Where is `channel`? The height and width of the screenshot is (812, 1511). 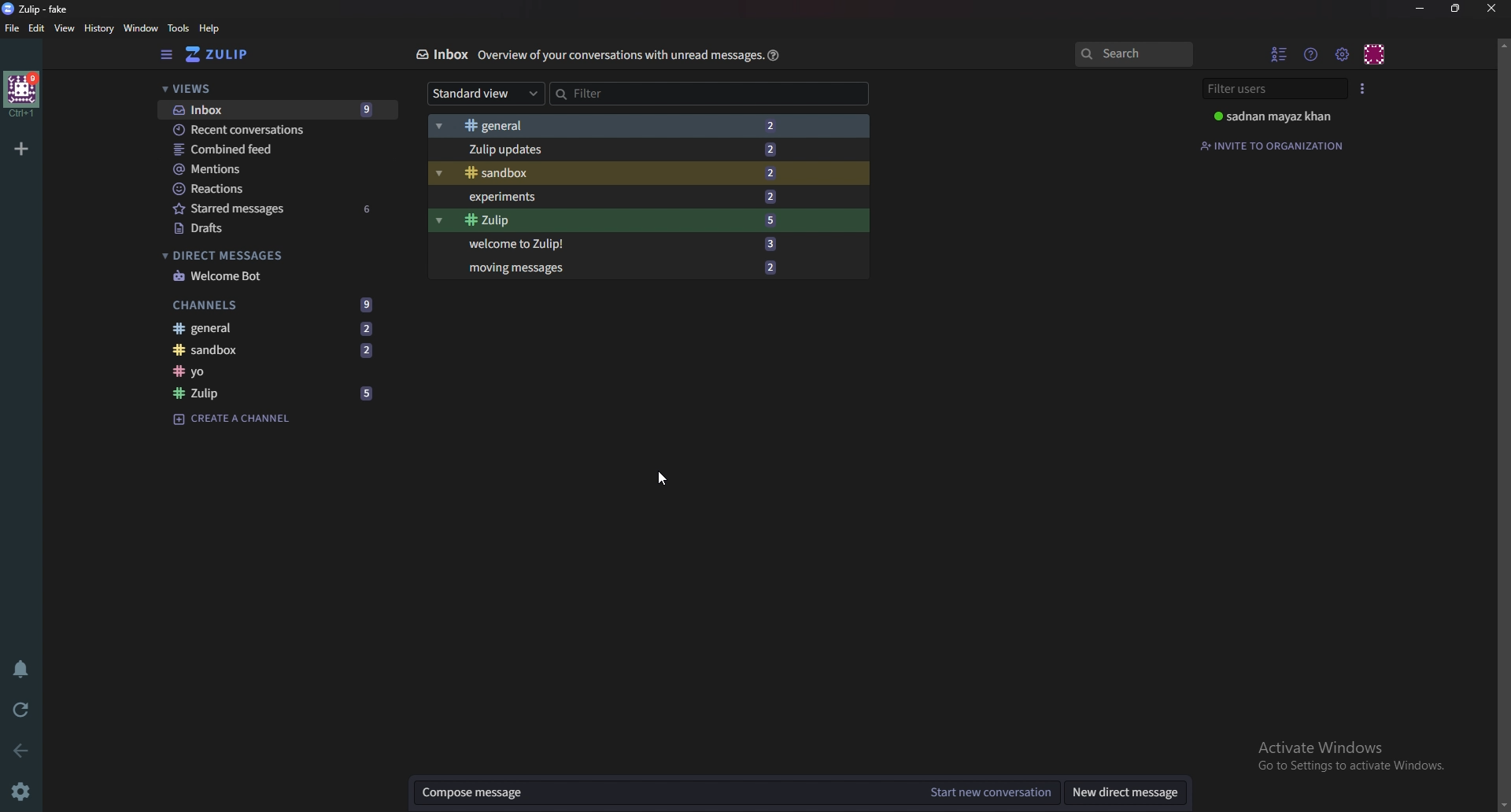 channel is located at coordinates (280, 370).